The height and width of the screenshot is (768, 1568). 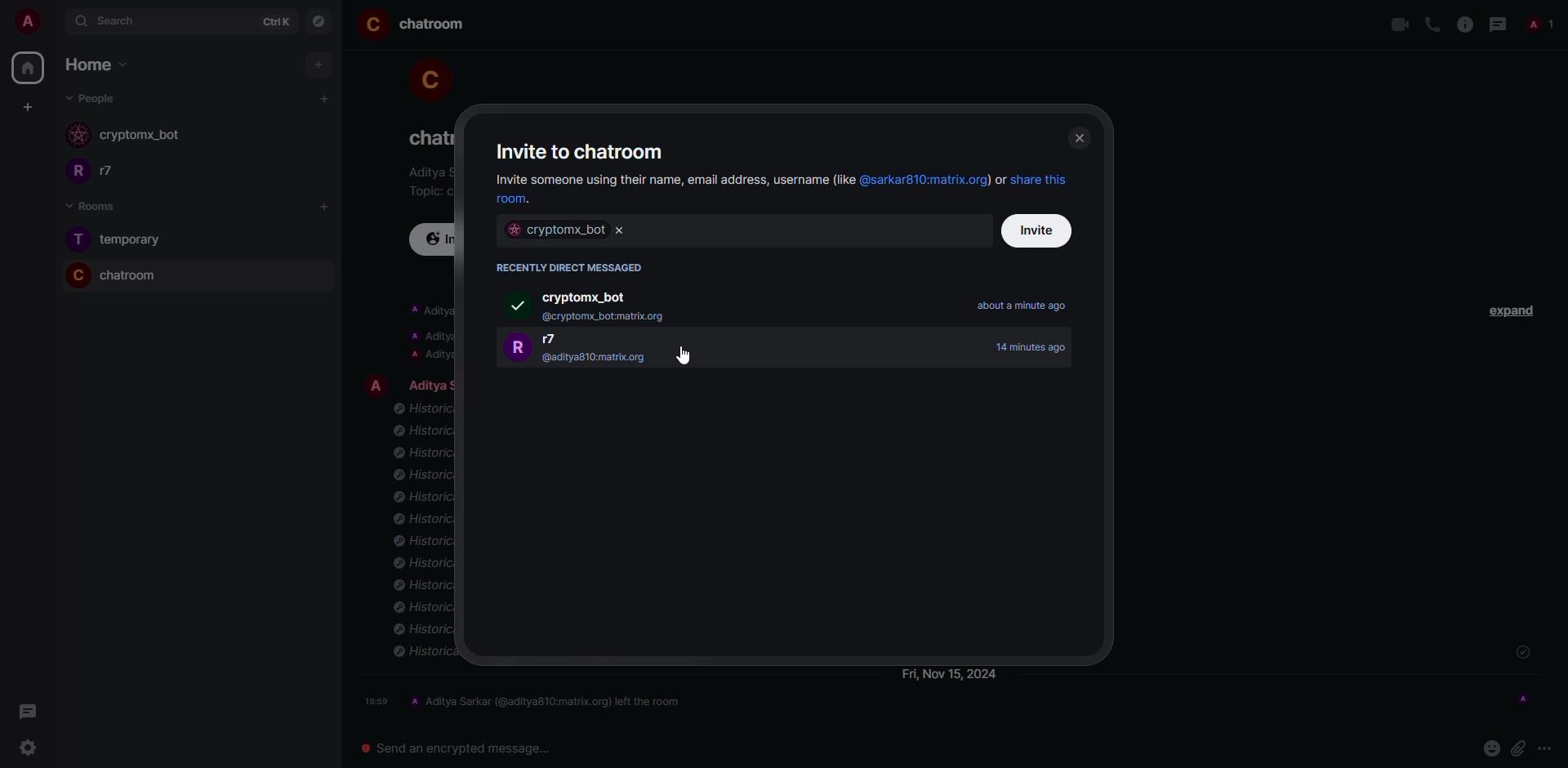 I want to click on video call, so click(x=1399, y=25).